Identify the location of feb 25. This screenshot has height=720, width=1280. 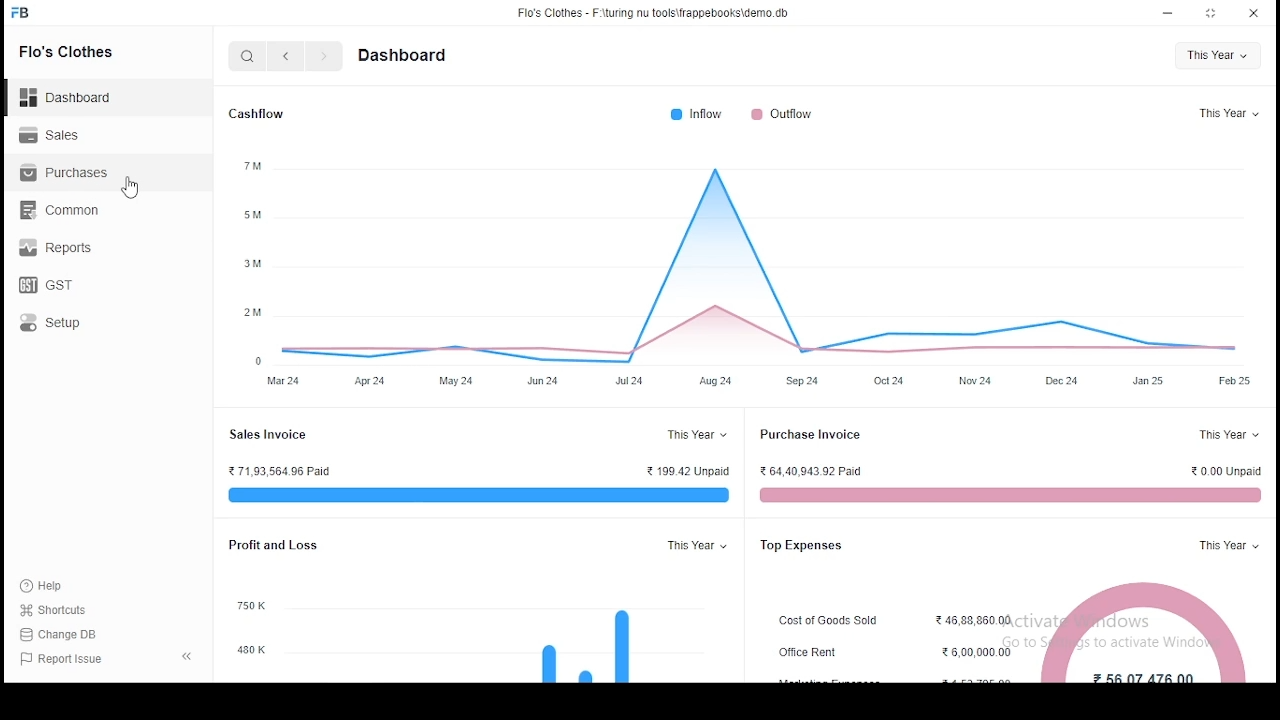
(1232, 380).